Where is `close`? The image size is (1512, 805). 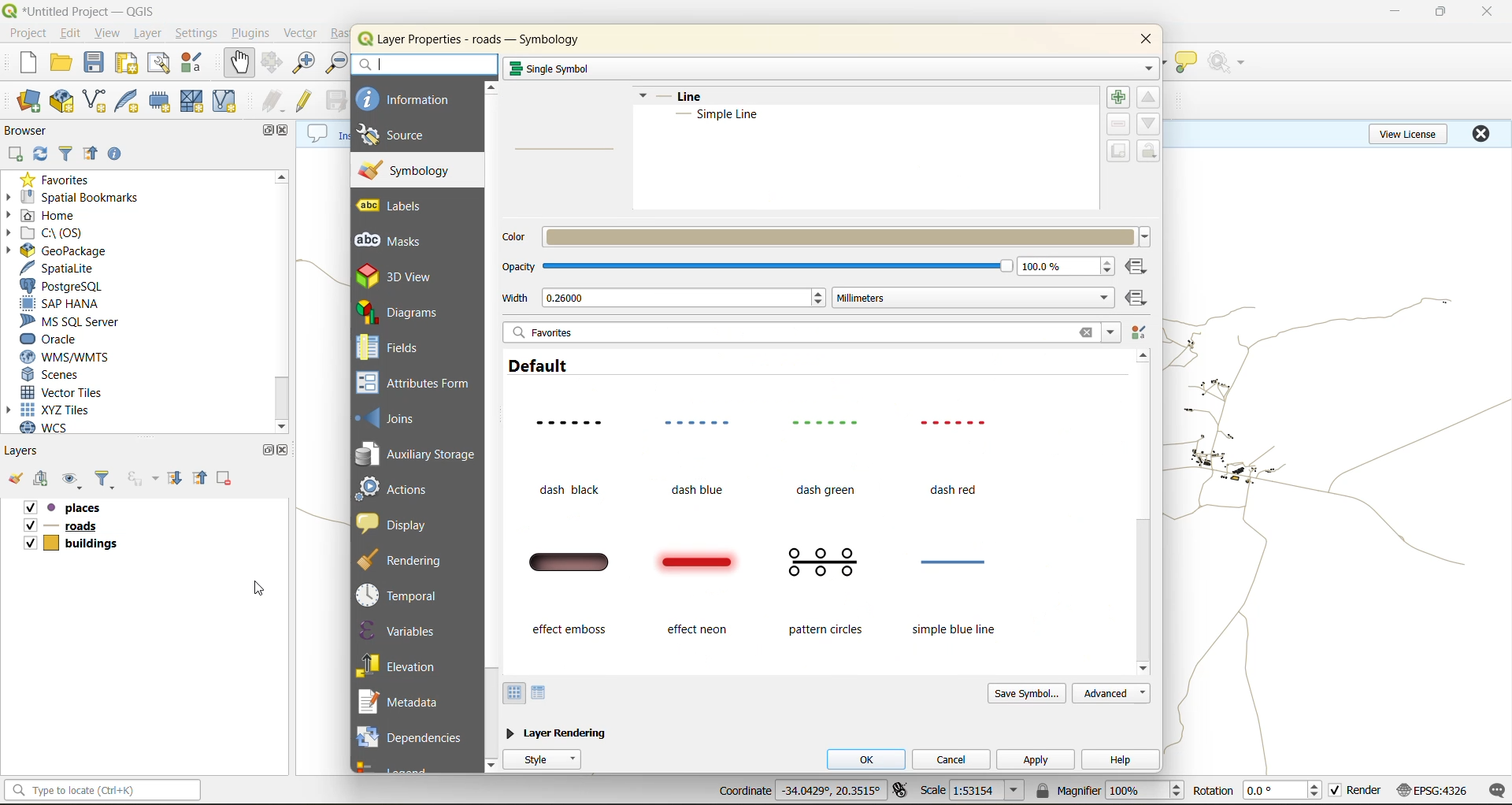
close is located at coordinates (1479, 135).